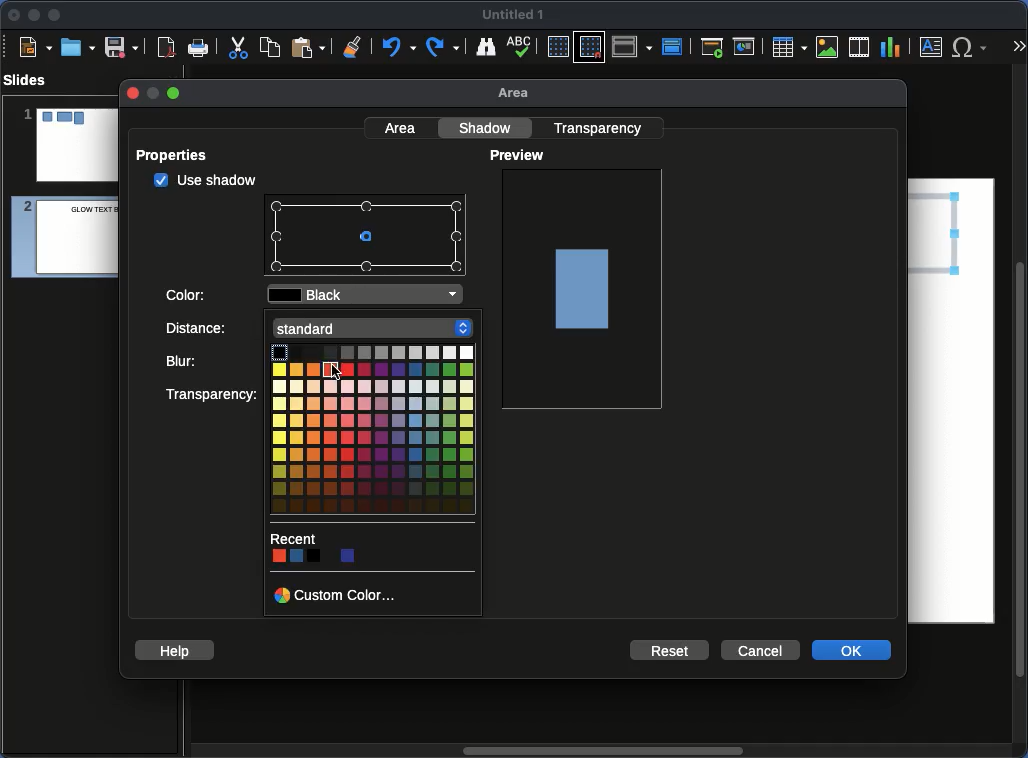  What do you see at coordinates (890, 48) in the screenshot?
I see `Chart` at bounding box center [890, 48].